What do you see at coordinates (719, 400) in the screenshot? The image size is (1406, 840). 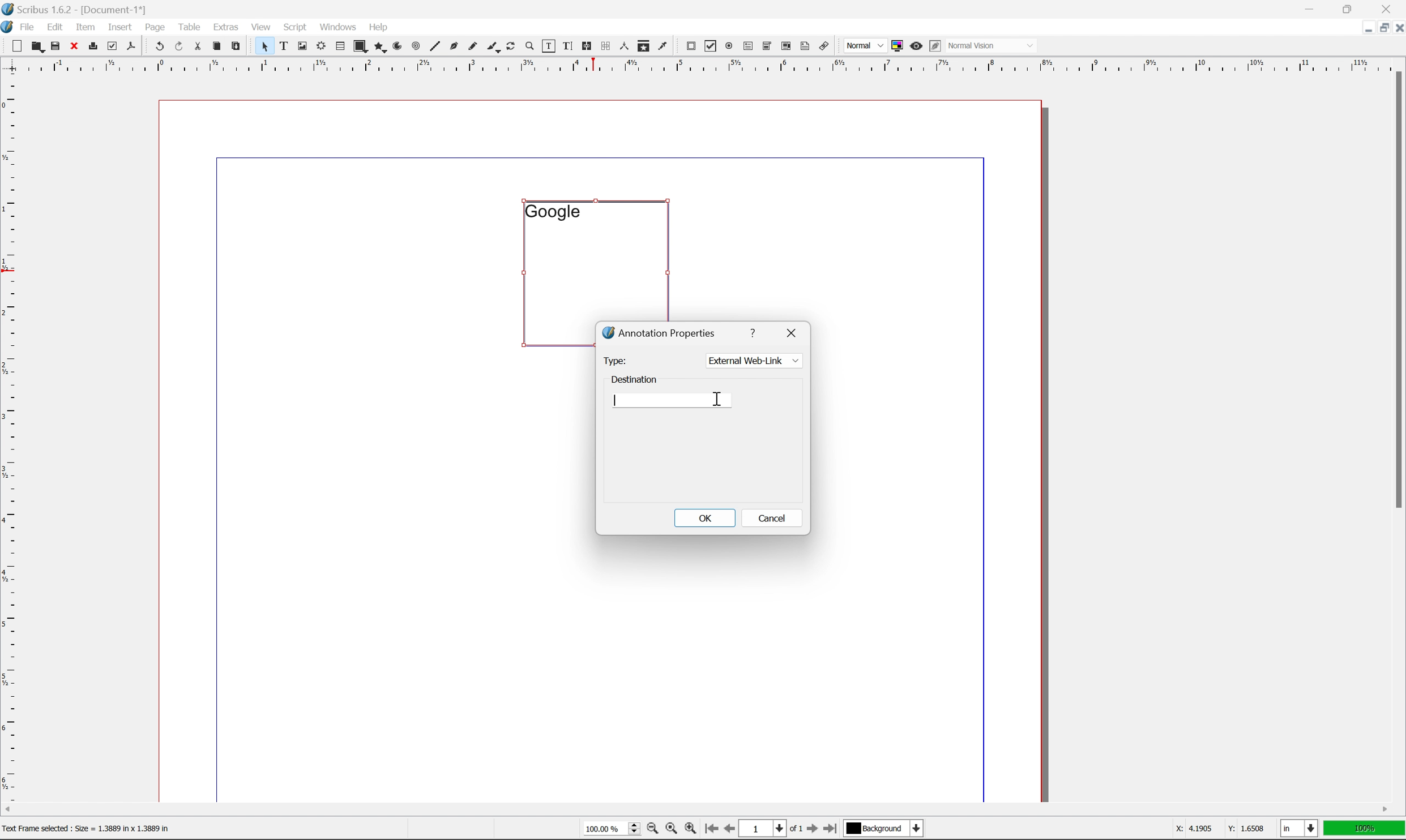 I see `cursor` at bounding box center [719, 400].